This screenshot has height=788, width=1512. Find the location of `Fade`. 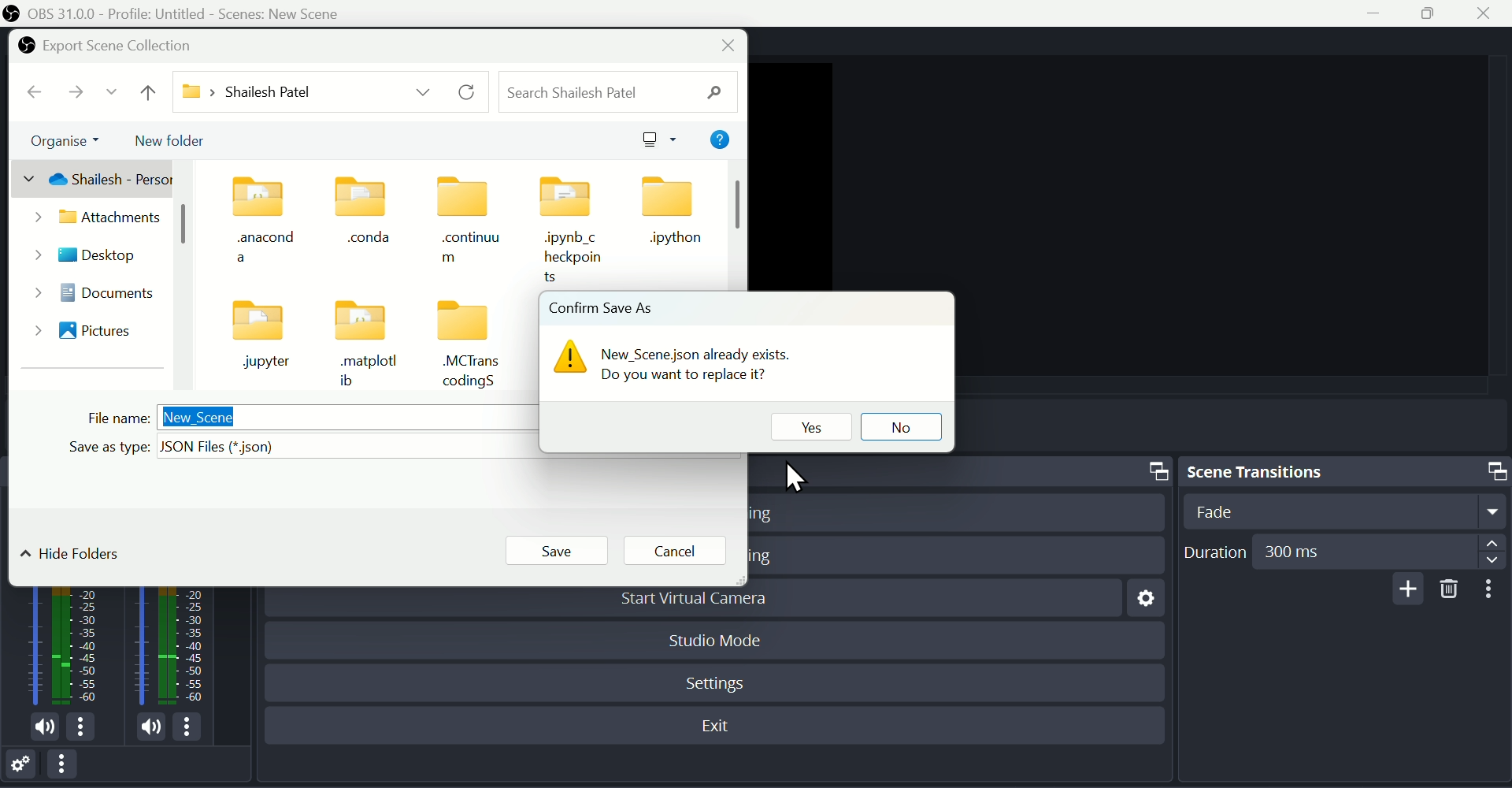

Fade is located at coordinates (1340, 511).